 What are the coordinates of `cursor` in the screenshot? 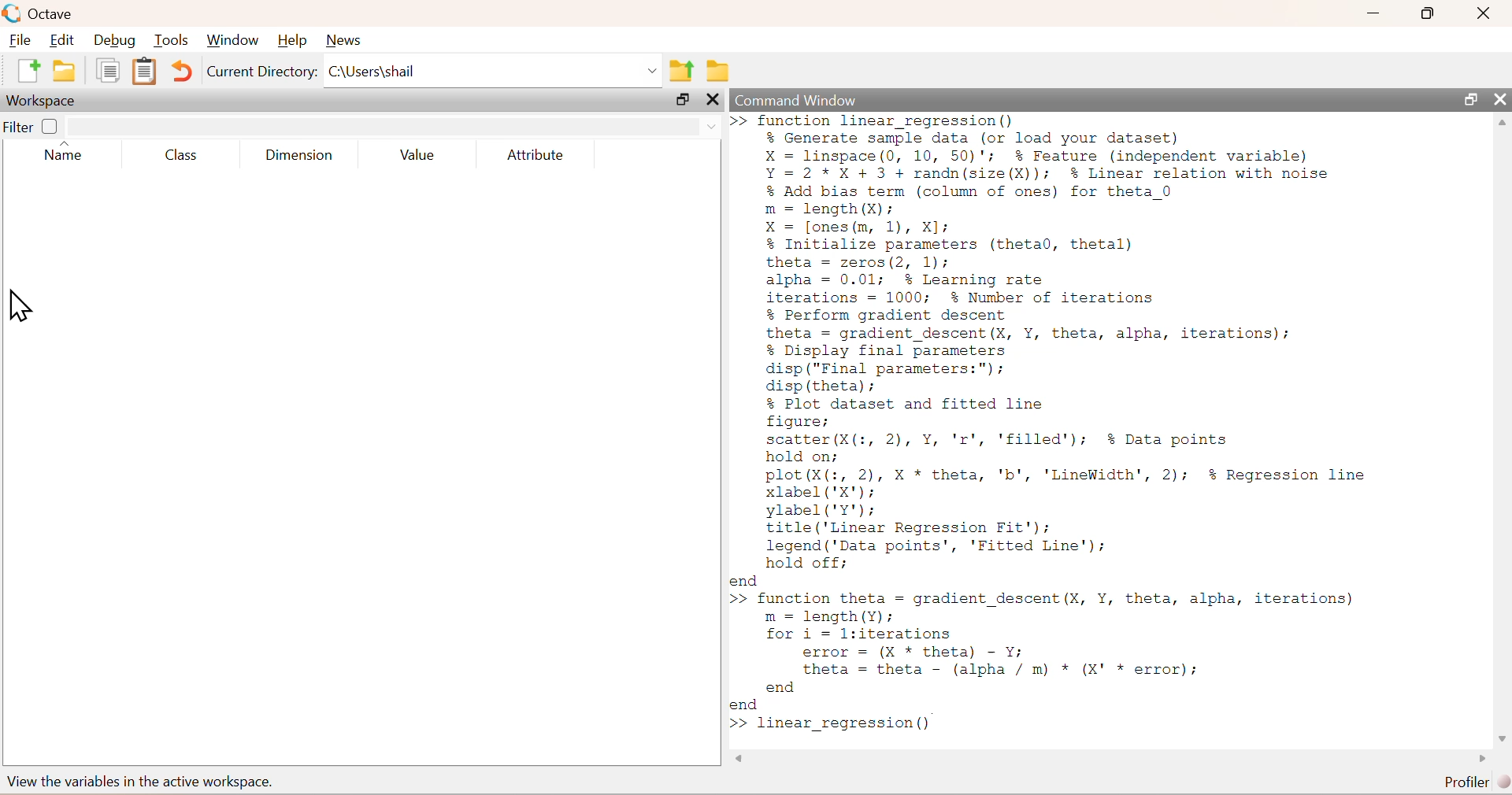 It's located at (21, 305).